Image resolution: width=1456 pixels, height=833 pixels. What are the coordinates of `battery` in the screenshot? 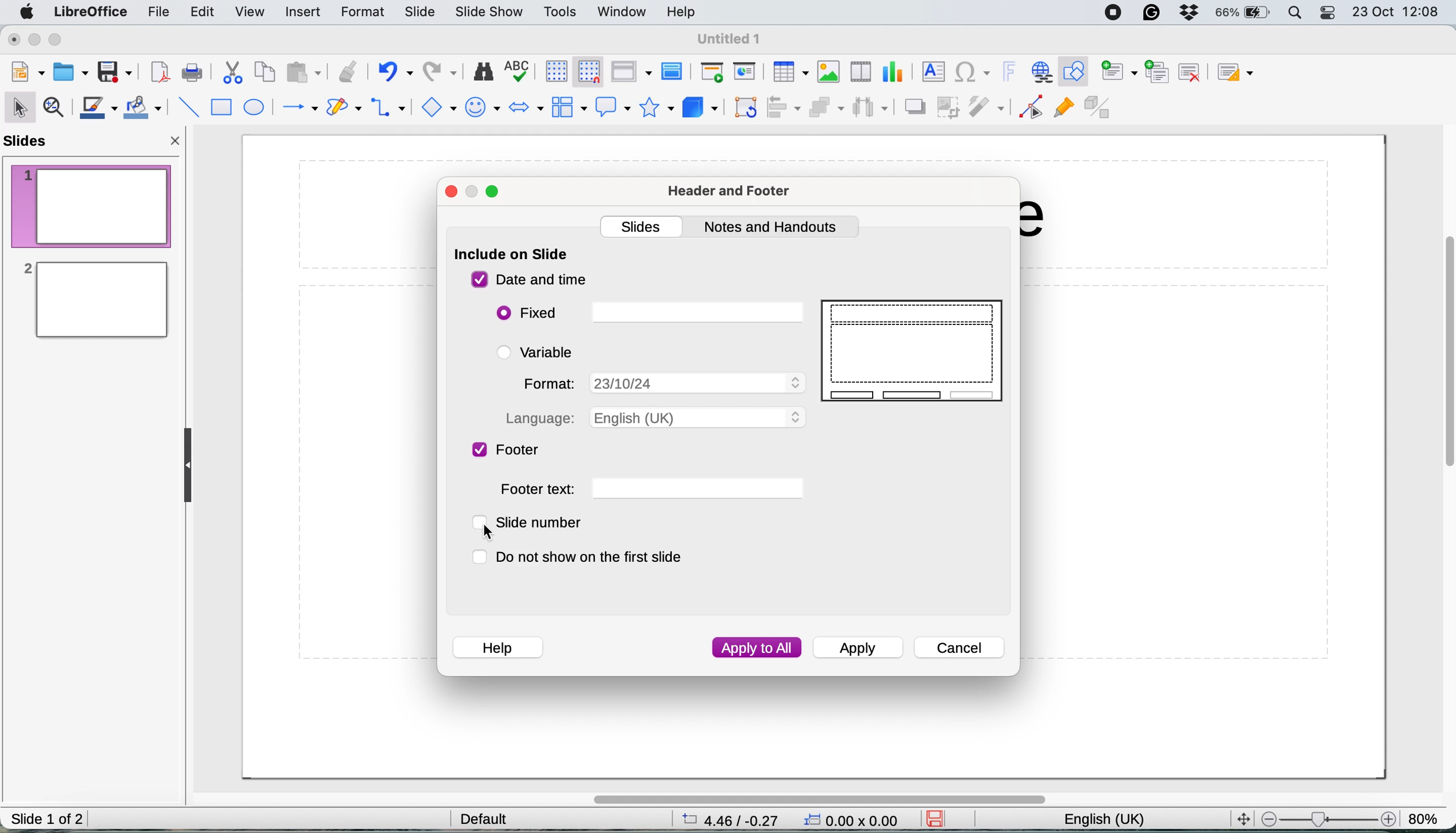 It's located at (1243, 13).